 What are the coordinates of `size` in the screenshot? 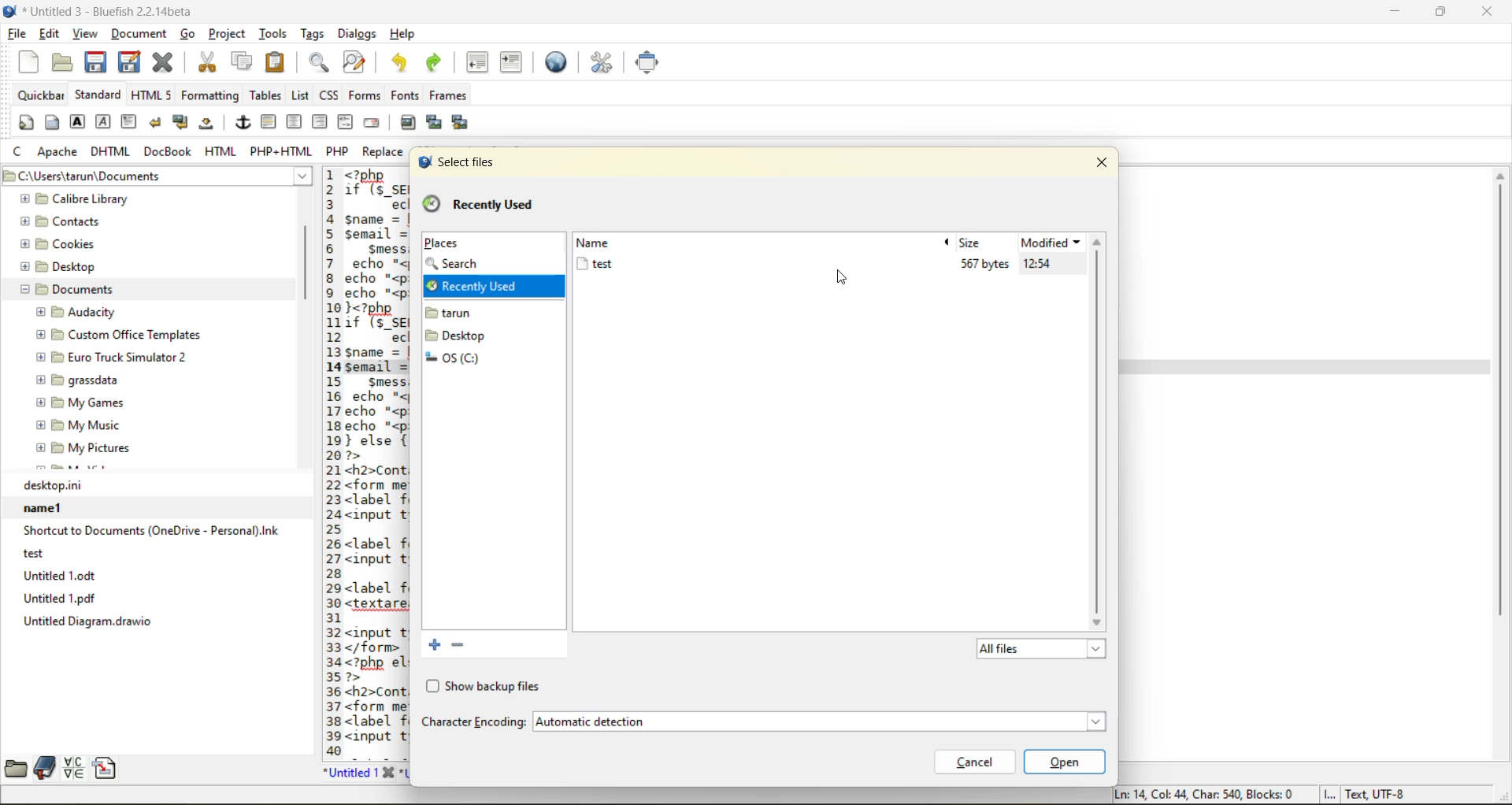 It's located at (974, 243).